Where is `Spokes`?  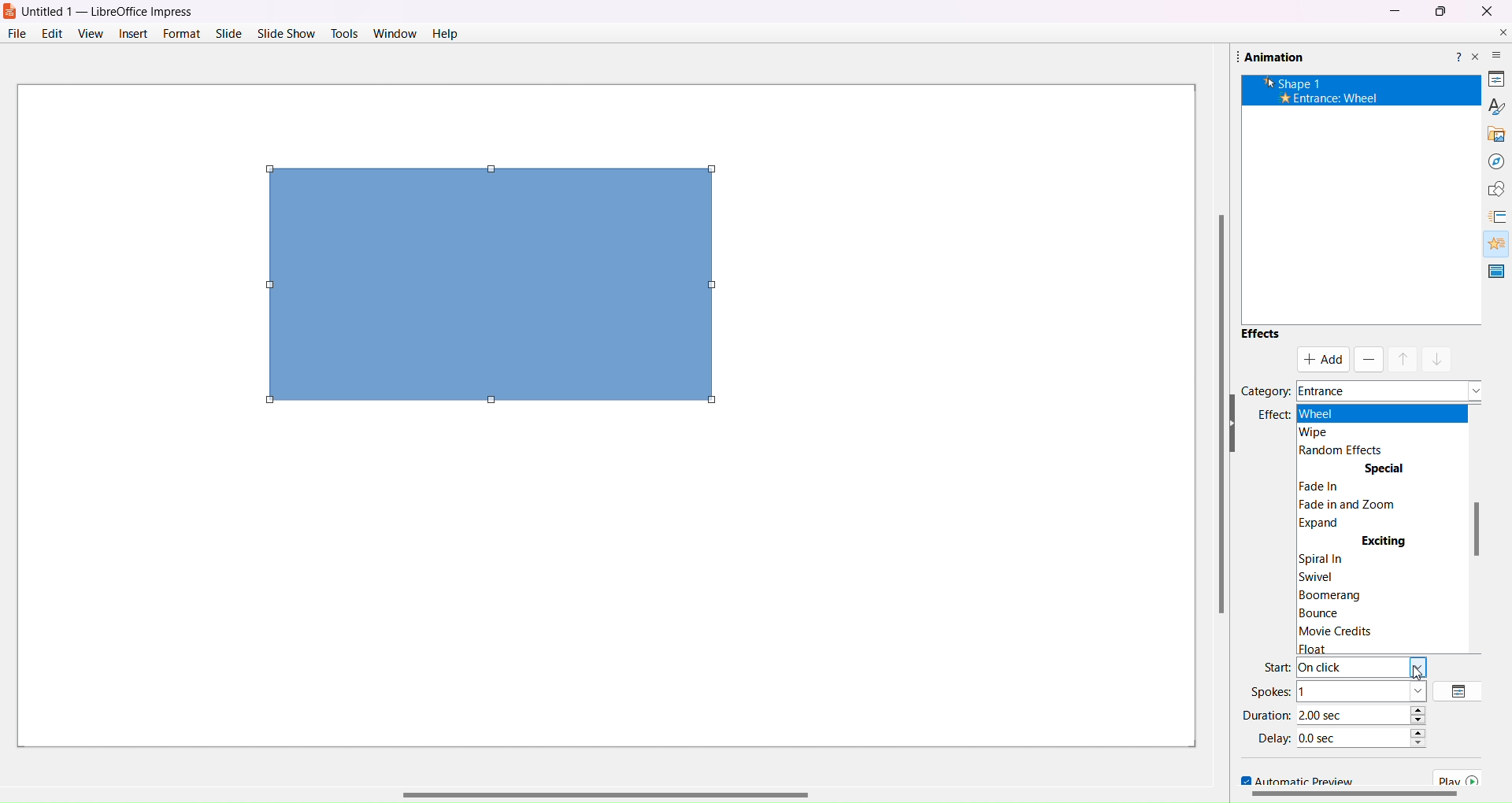
Spokes is located at coordinates (1271, 691).